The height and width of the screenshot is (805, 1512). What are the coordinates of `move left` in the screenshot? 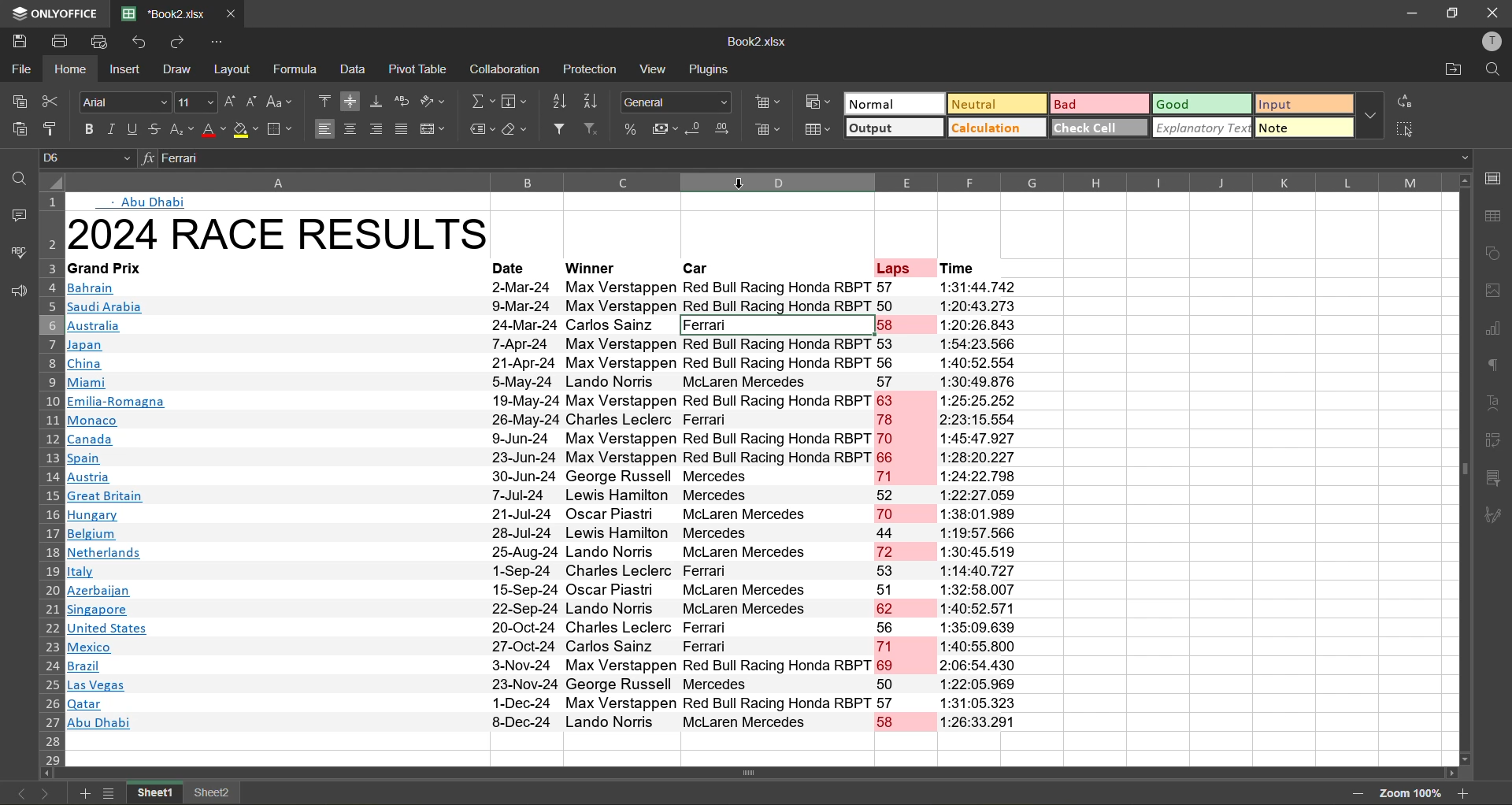 It's located at (49, 774).